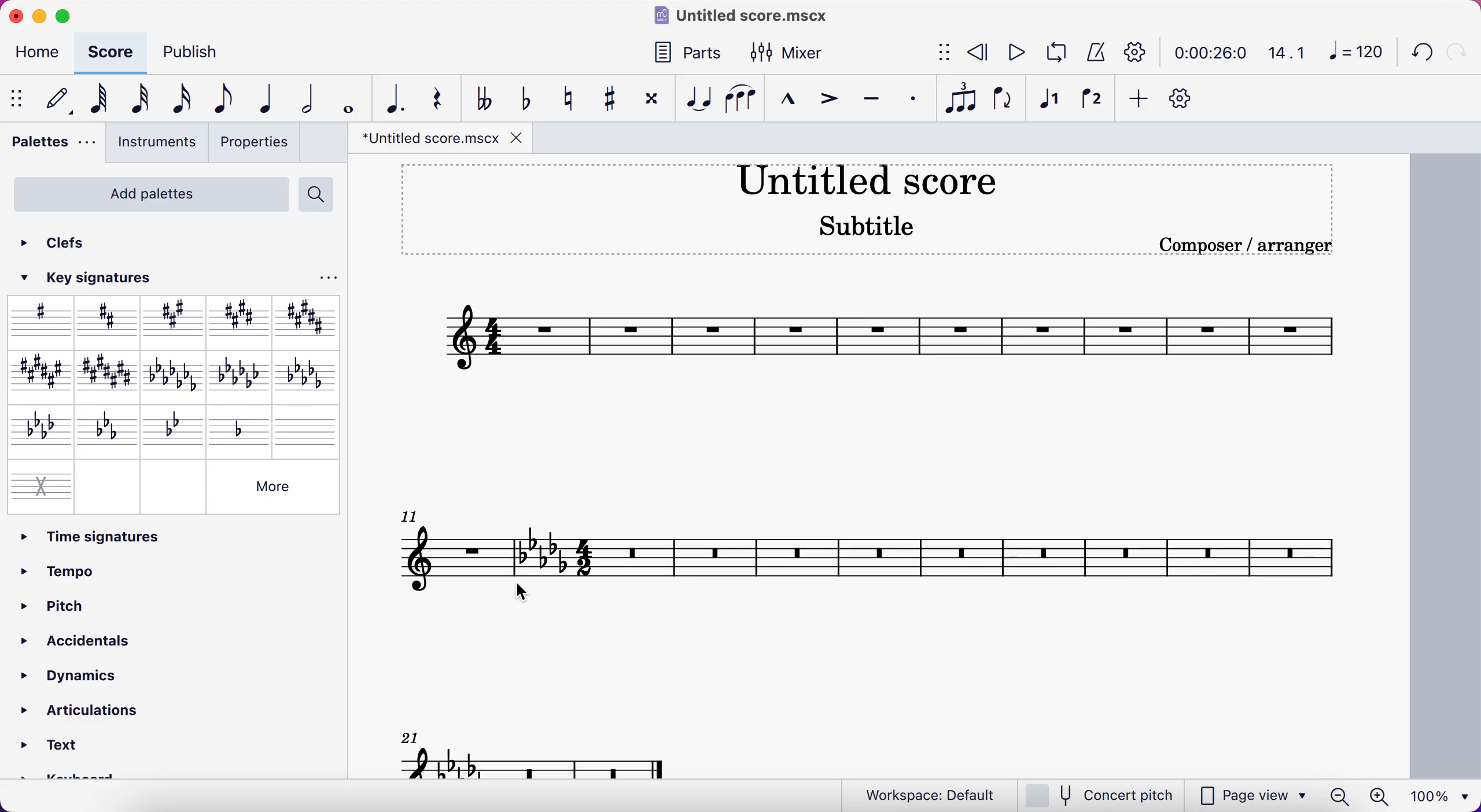  I want to click on parts, so click(691, 54).